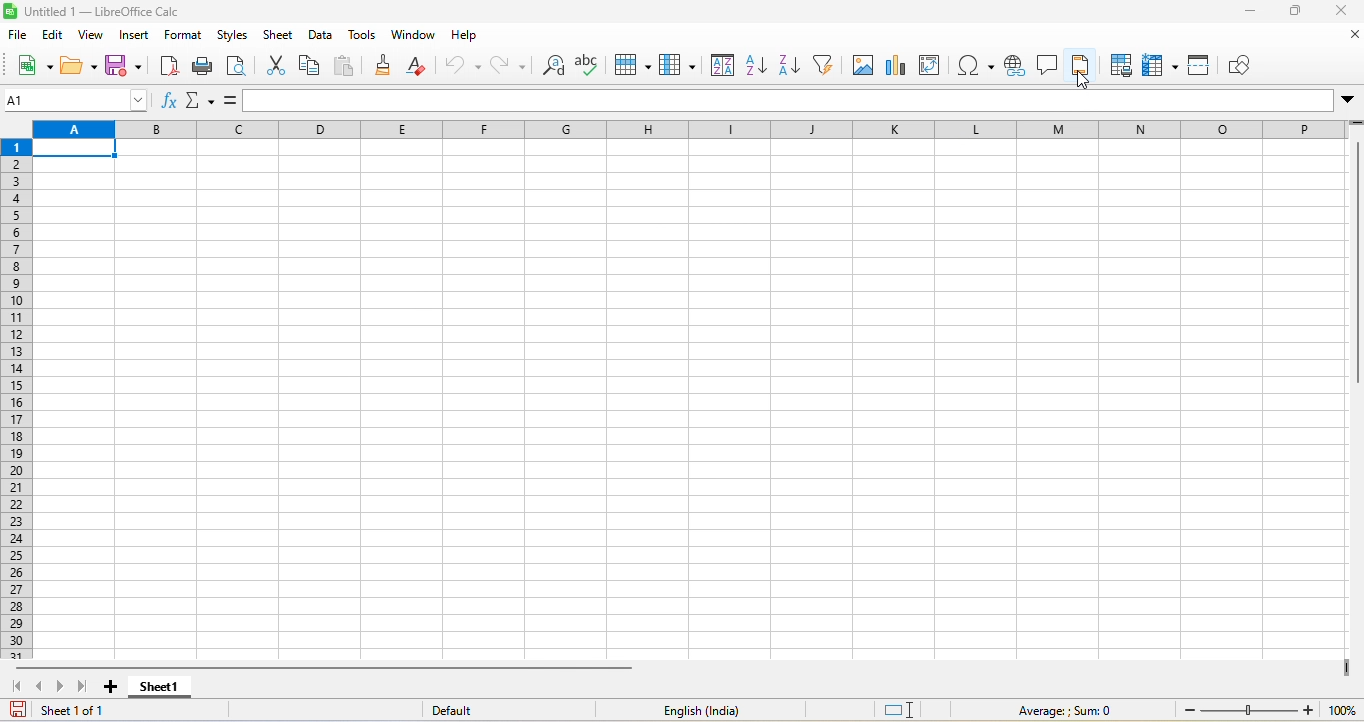 This screenshot has height=722, width=1364. Describe the element at coordinates (1012, 68) in the screenshot. I see `hyperlink` at that location.